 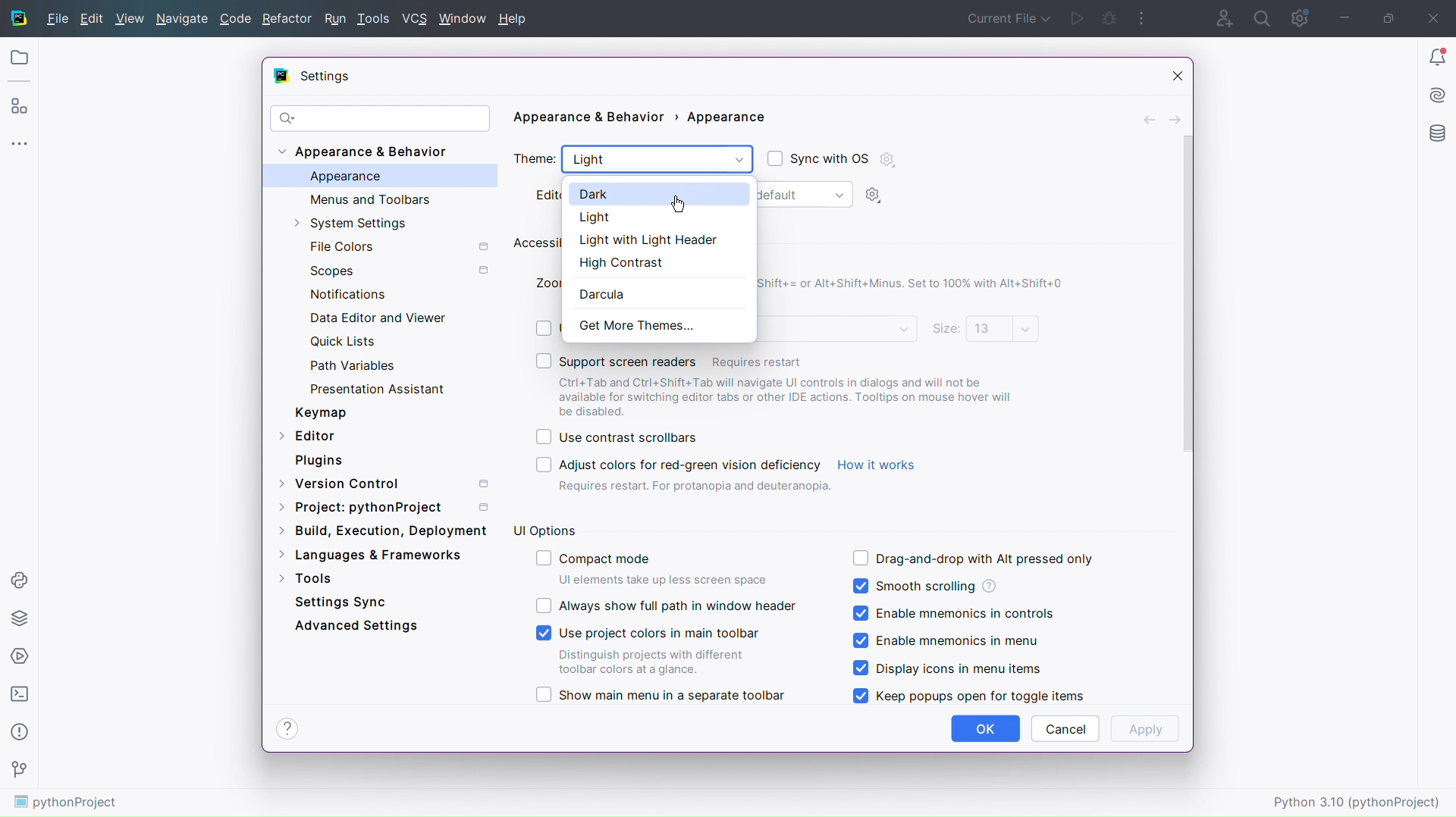 I want to click on Build, Execution, Deployment, so click(x=382, y=529).